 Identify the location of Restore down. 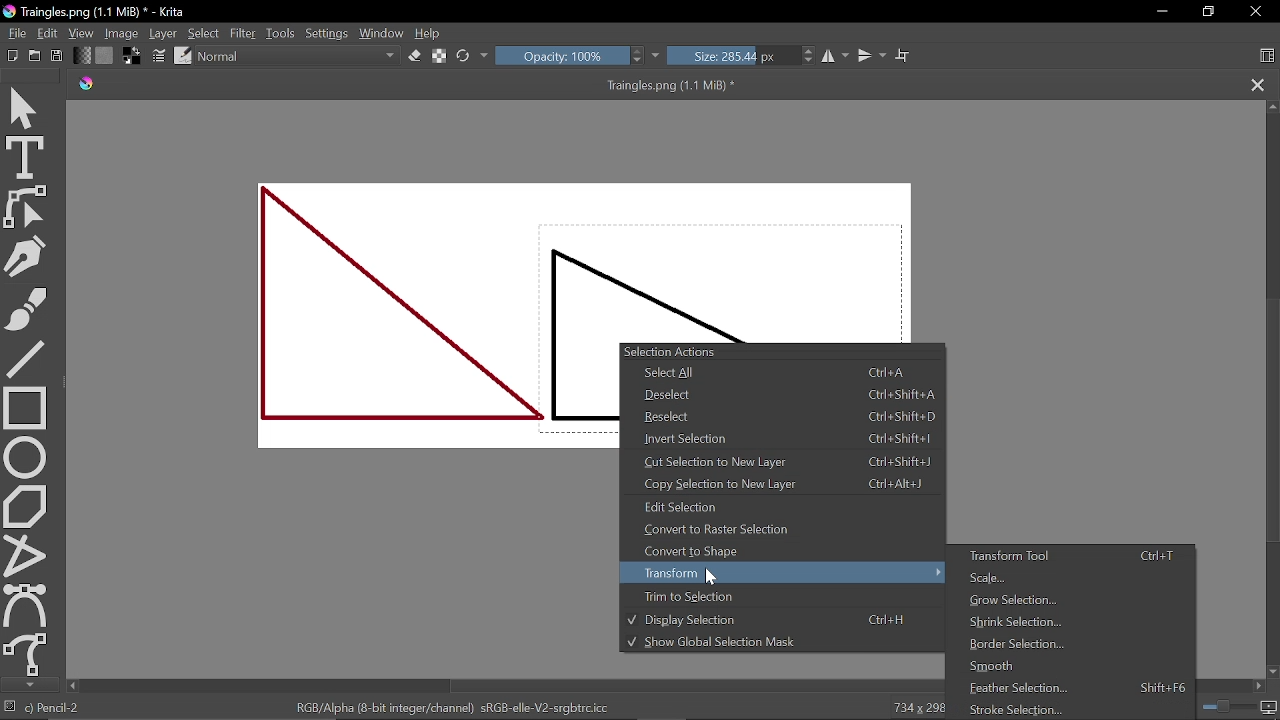
(1207, 12).